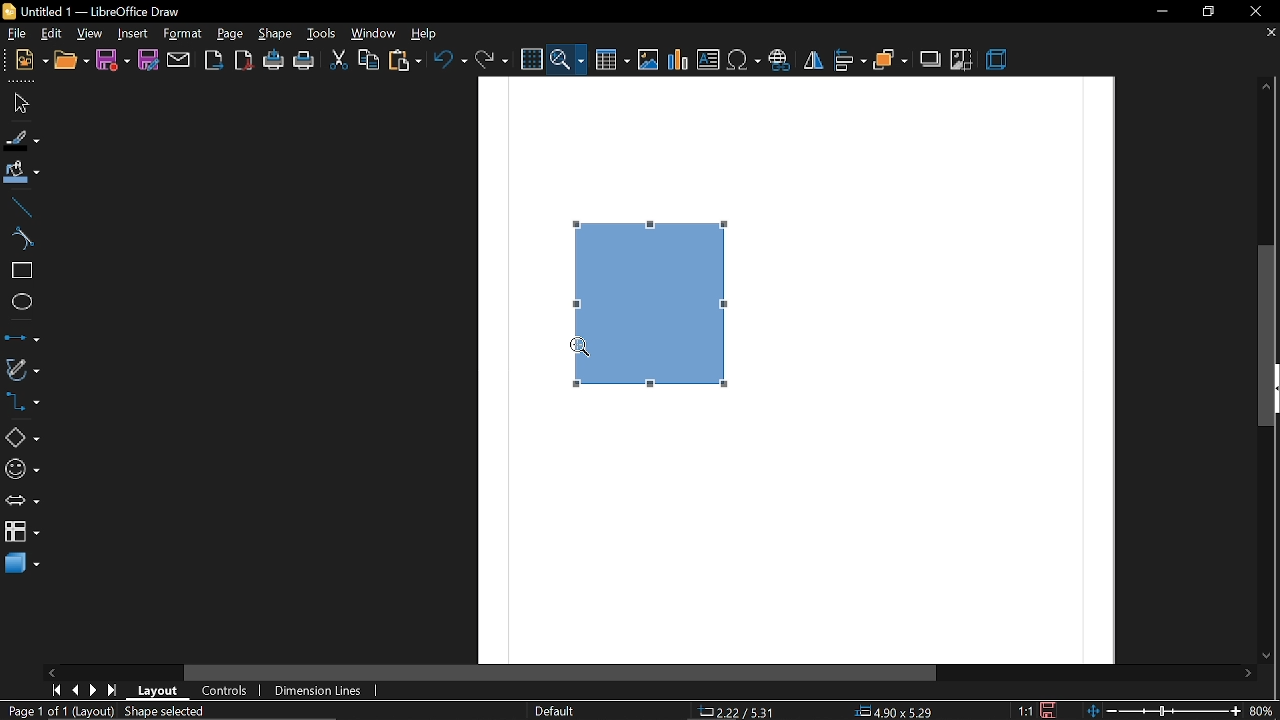 This screenshot has height=720, width=1280. I want to click on attach, so click(179, 59).